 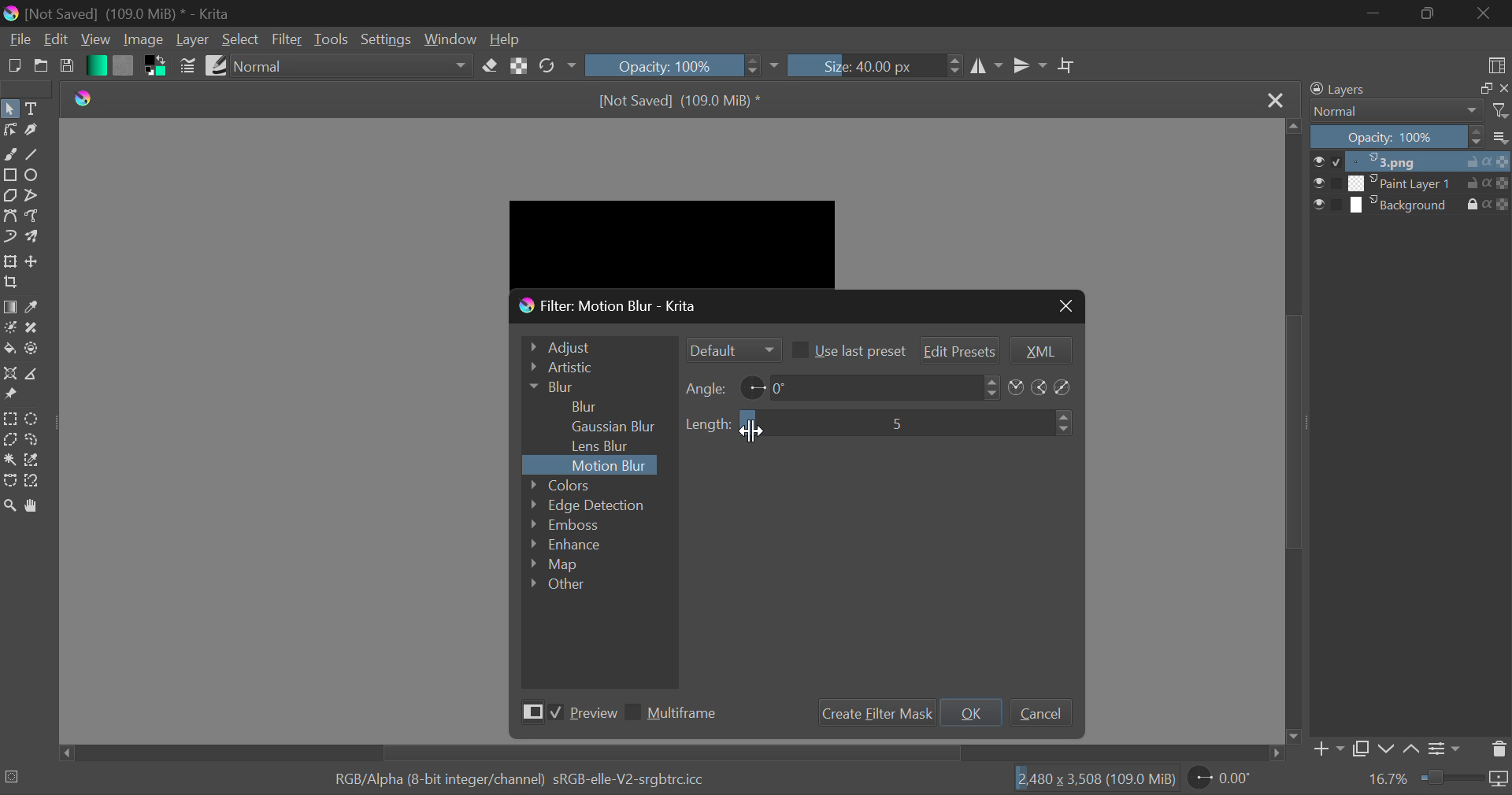 I want to click on Close, so click(x=1484, y=14).